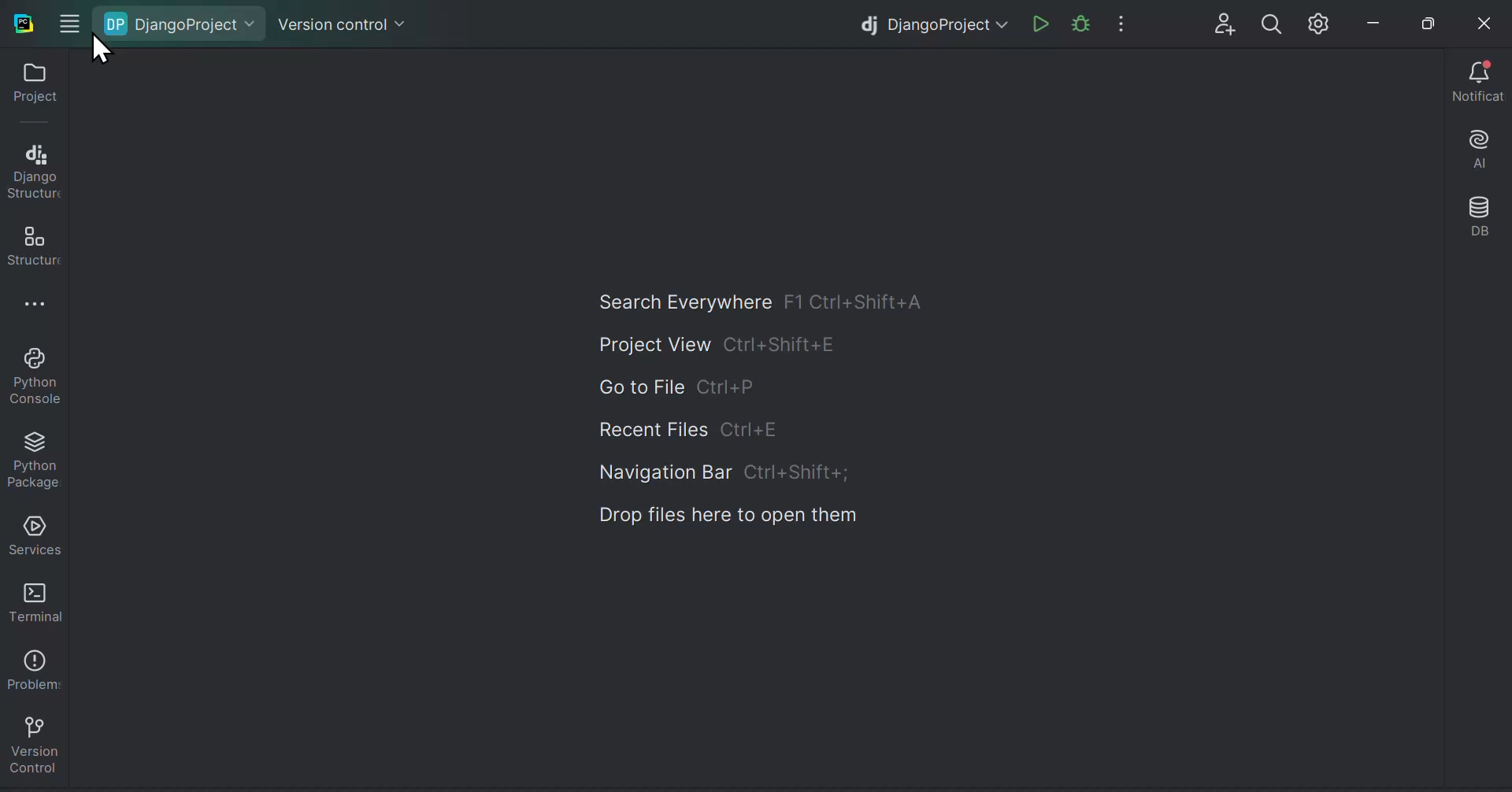 The image size is (1512, 792). Describe the element at coordinates (106, 51) in the screenshot. I see `cursor` at that location.